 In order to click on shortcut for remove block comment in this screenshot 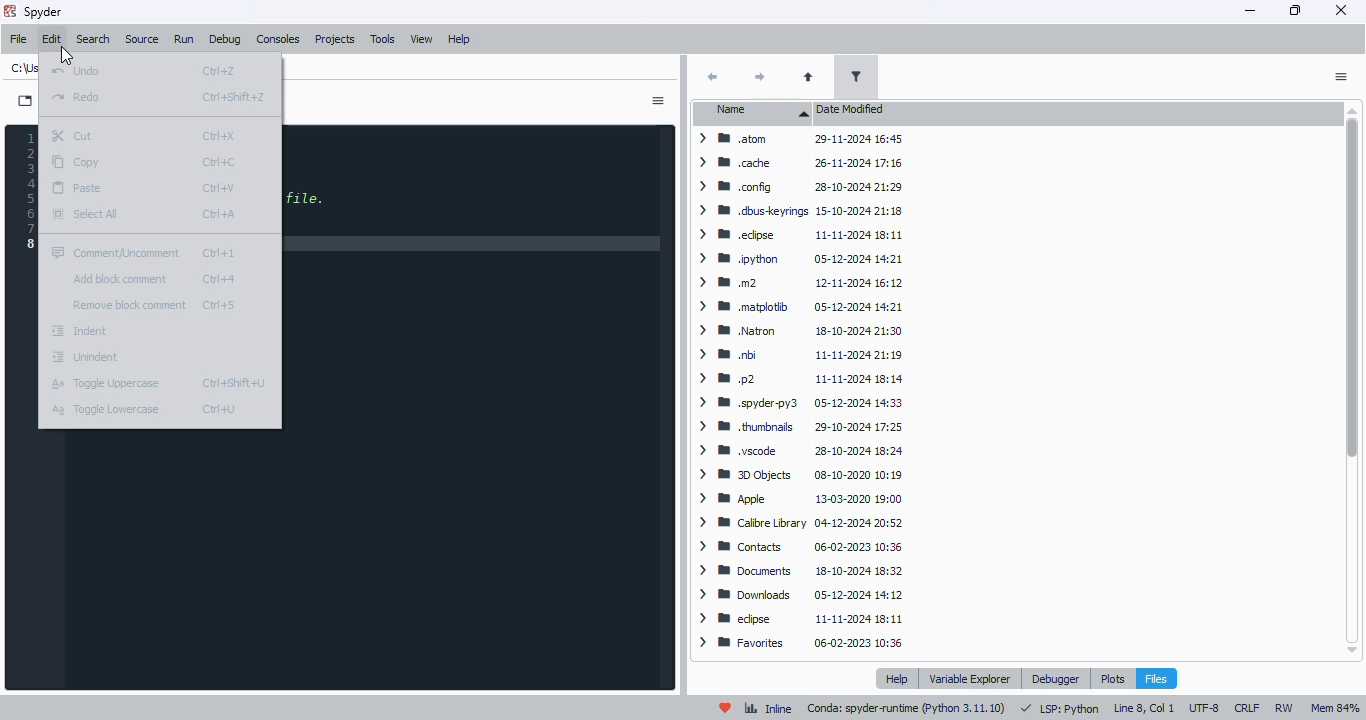, I will do `click(219, 305)`.